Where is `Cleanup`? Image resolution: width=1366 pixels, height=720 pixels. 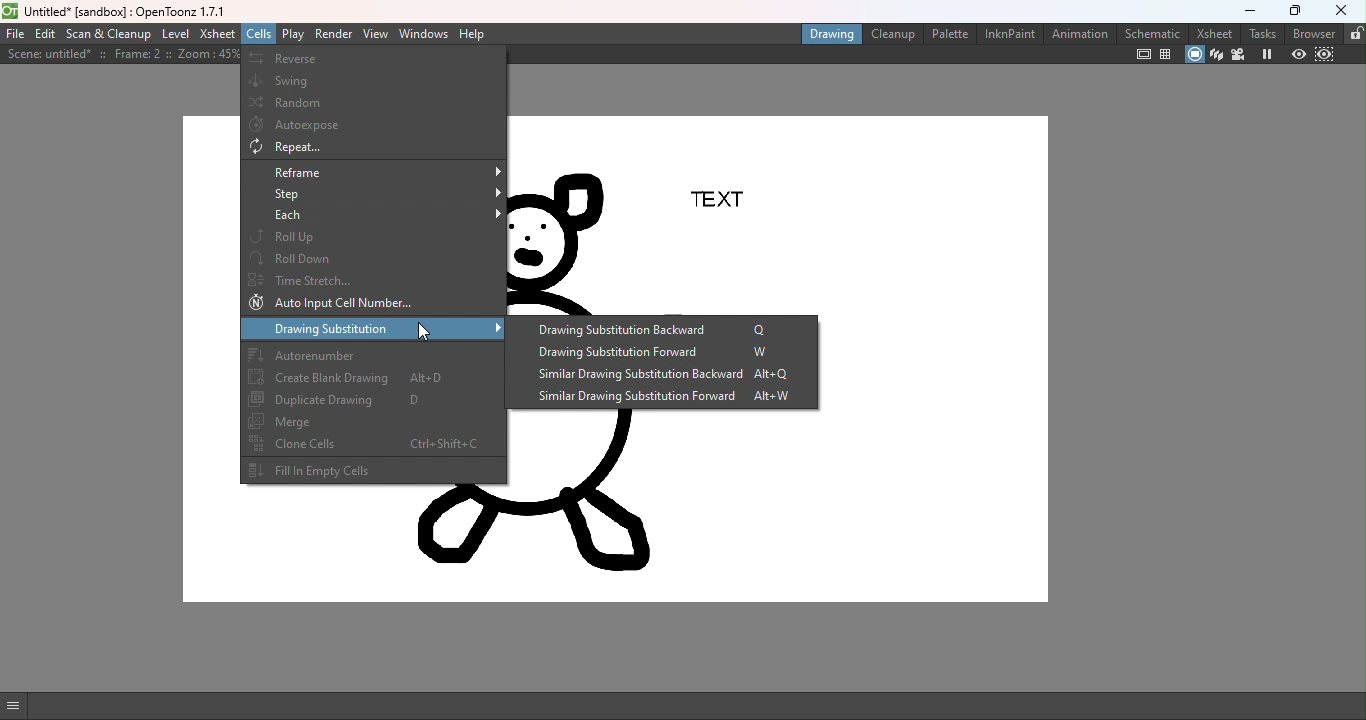 Cleanup is located at coordinates (891, 34).